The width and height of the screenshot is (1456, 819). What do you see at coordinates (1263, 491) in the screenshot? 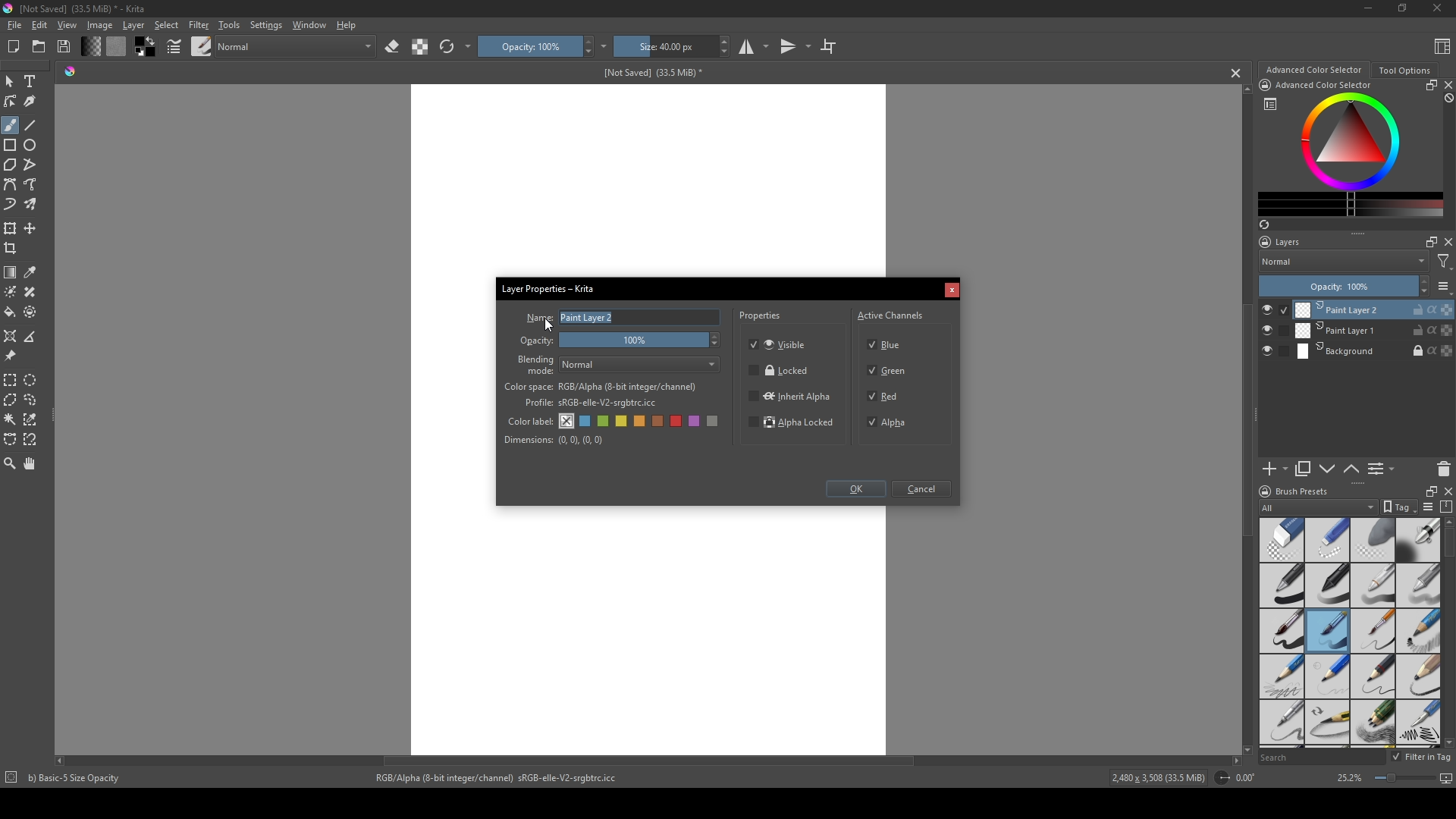
I see `logo` at bounding box center [1263, 491].